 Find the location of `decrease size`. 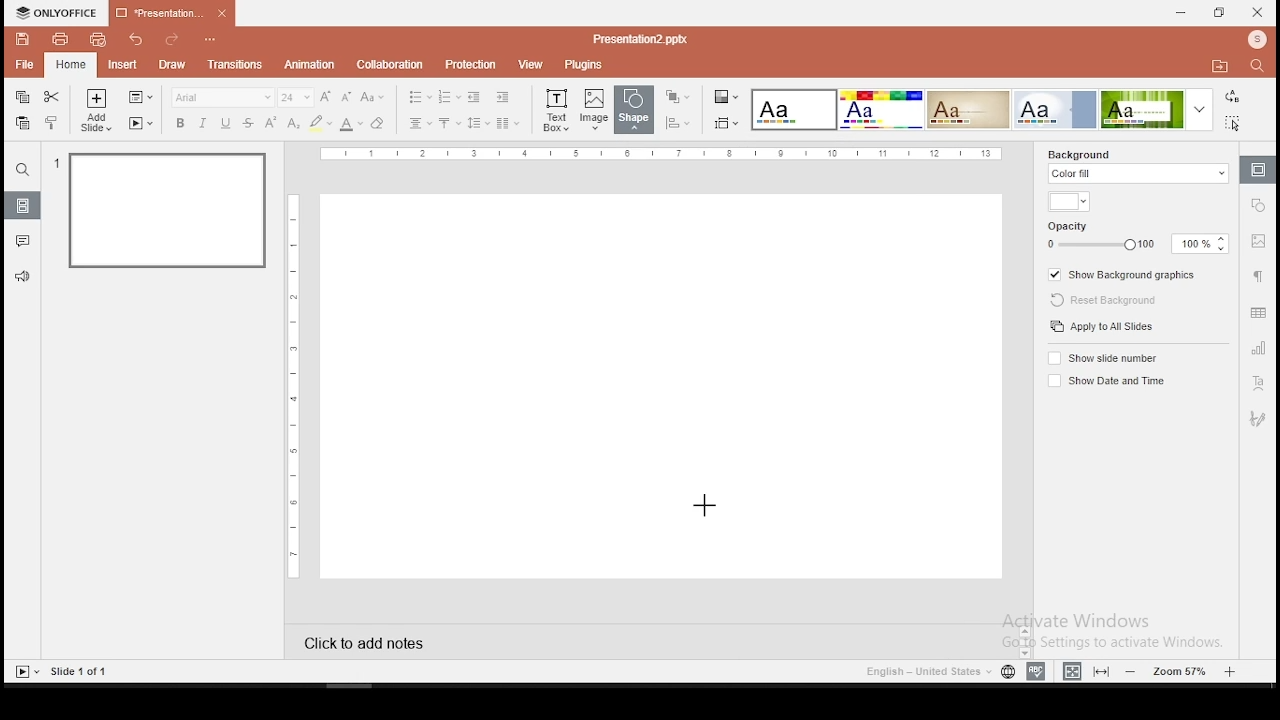

decrease size is located at coordinates (347, 97).